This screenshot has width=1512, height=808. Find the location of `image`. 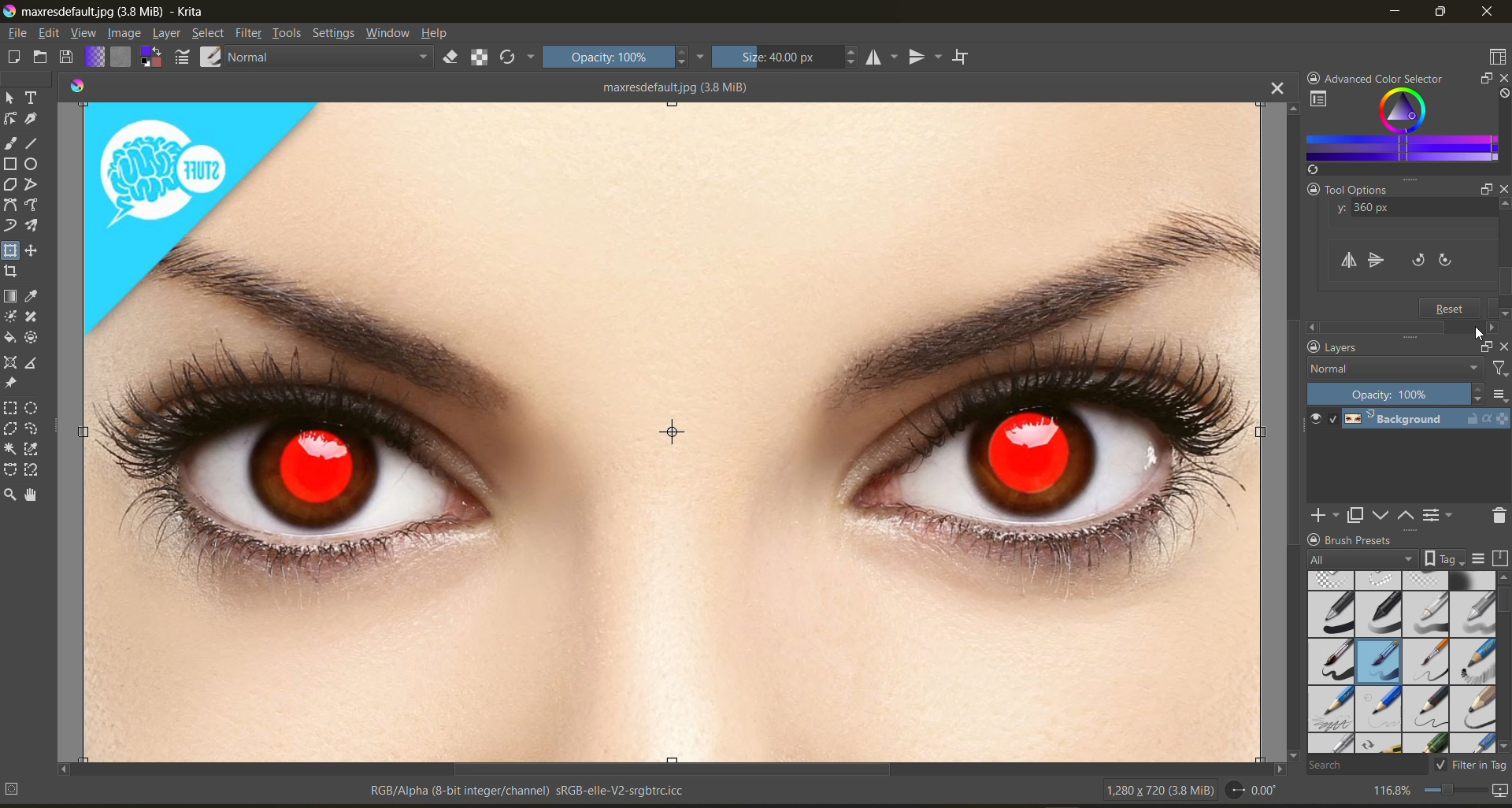

image is located at coordinates (126, 33).